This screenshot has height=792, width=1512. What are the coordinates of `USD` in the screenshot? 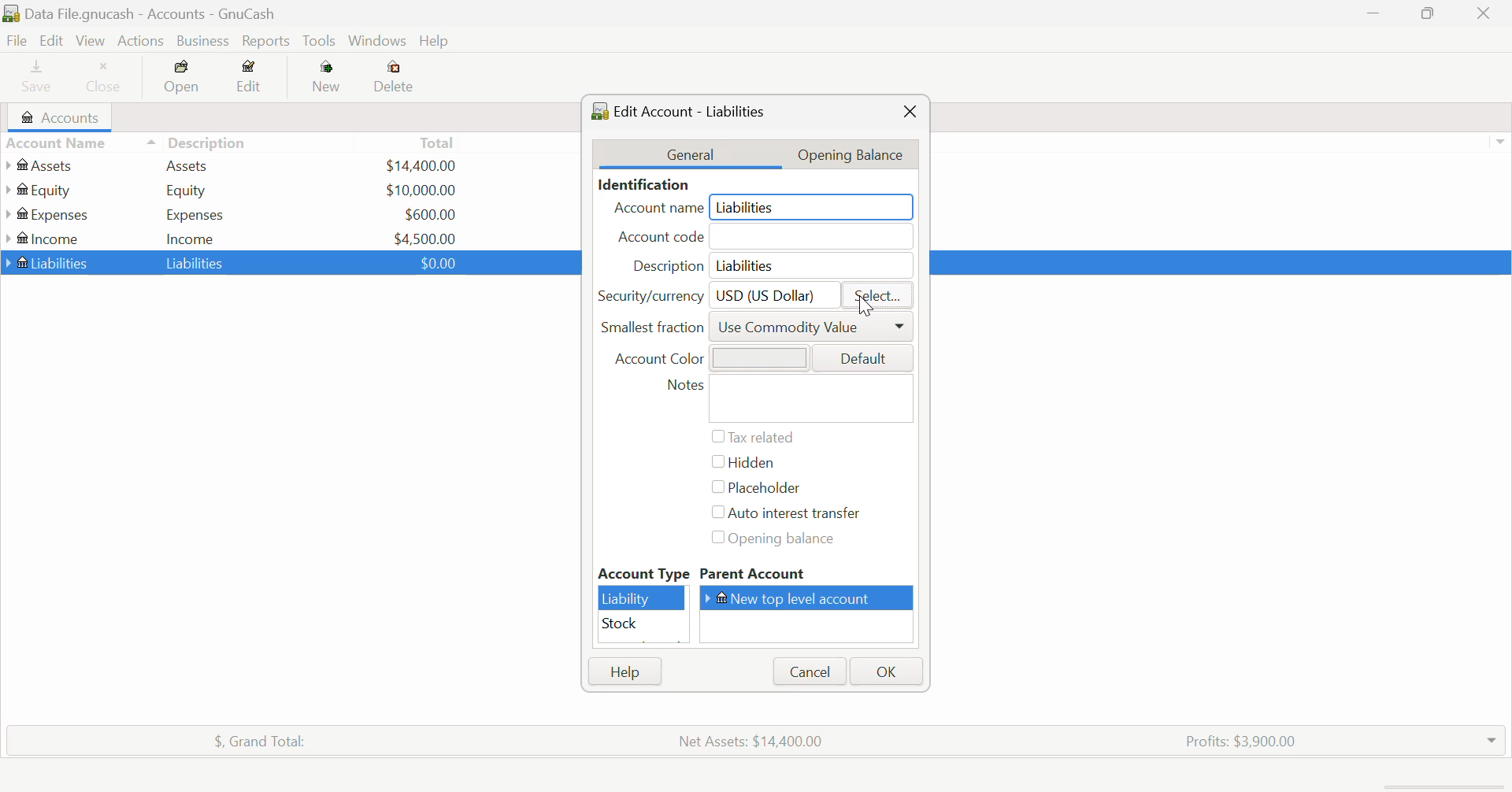 It's located at (430, 214).